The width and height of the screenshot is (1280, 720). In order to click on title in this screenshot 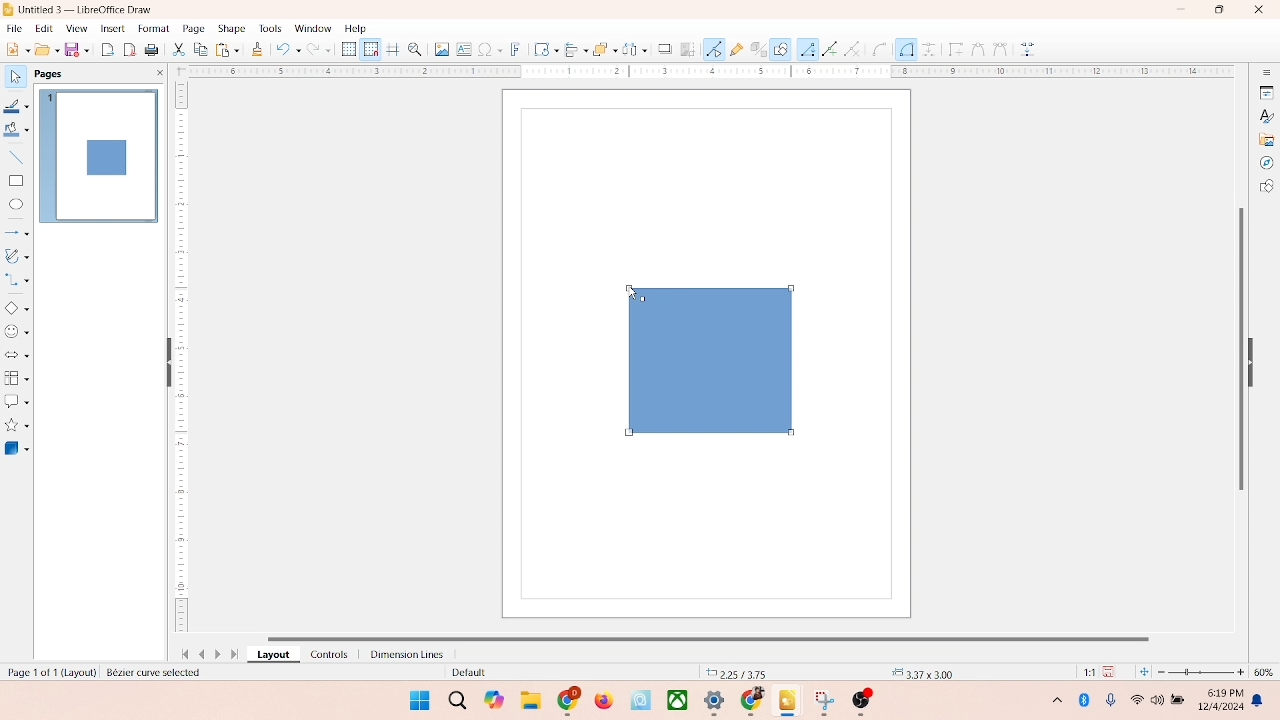, I will do `click(87, 8)`.